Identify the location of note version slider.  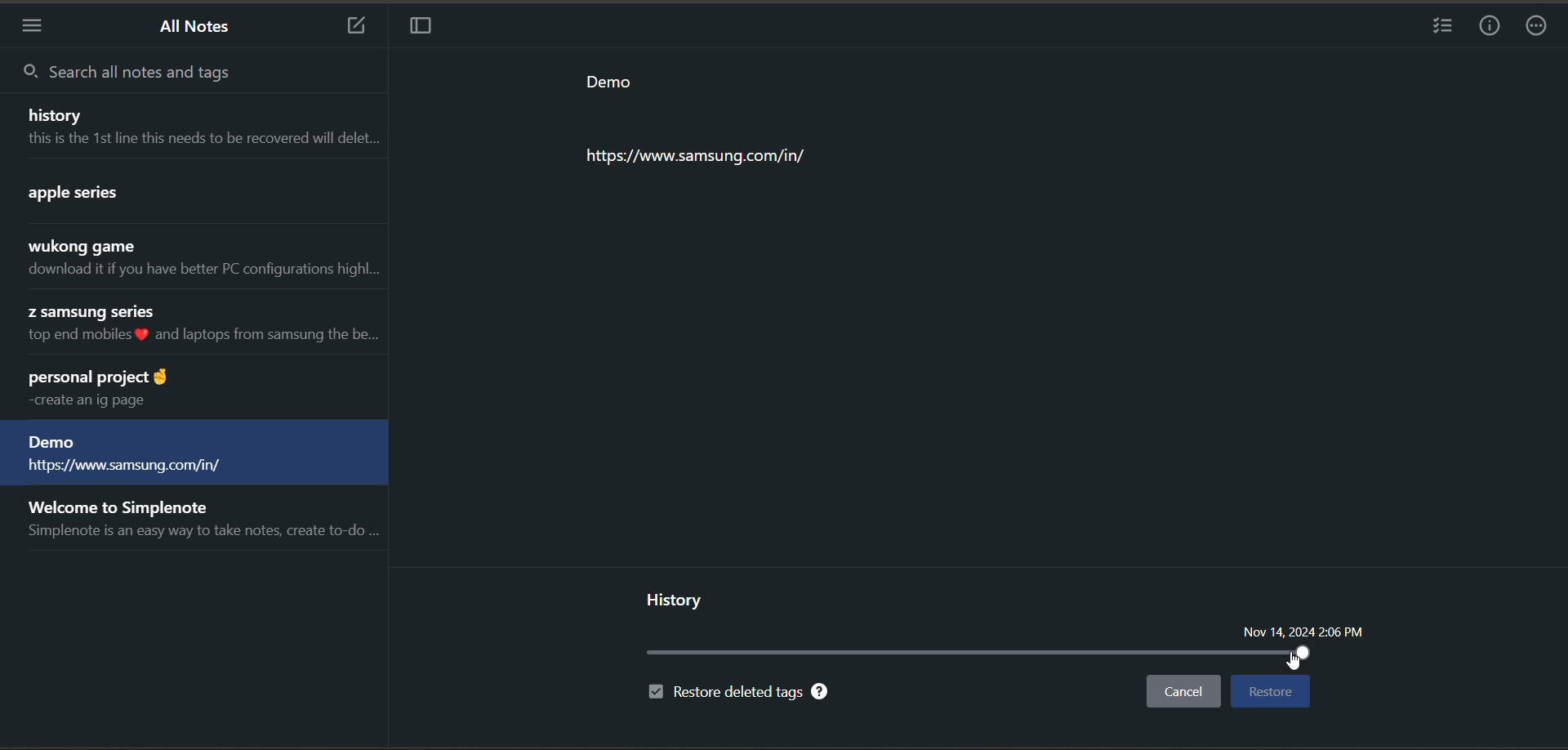
(980, 654).